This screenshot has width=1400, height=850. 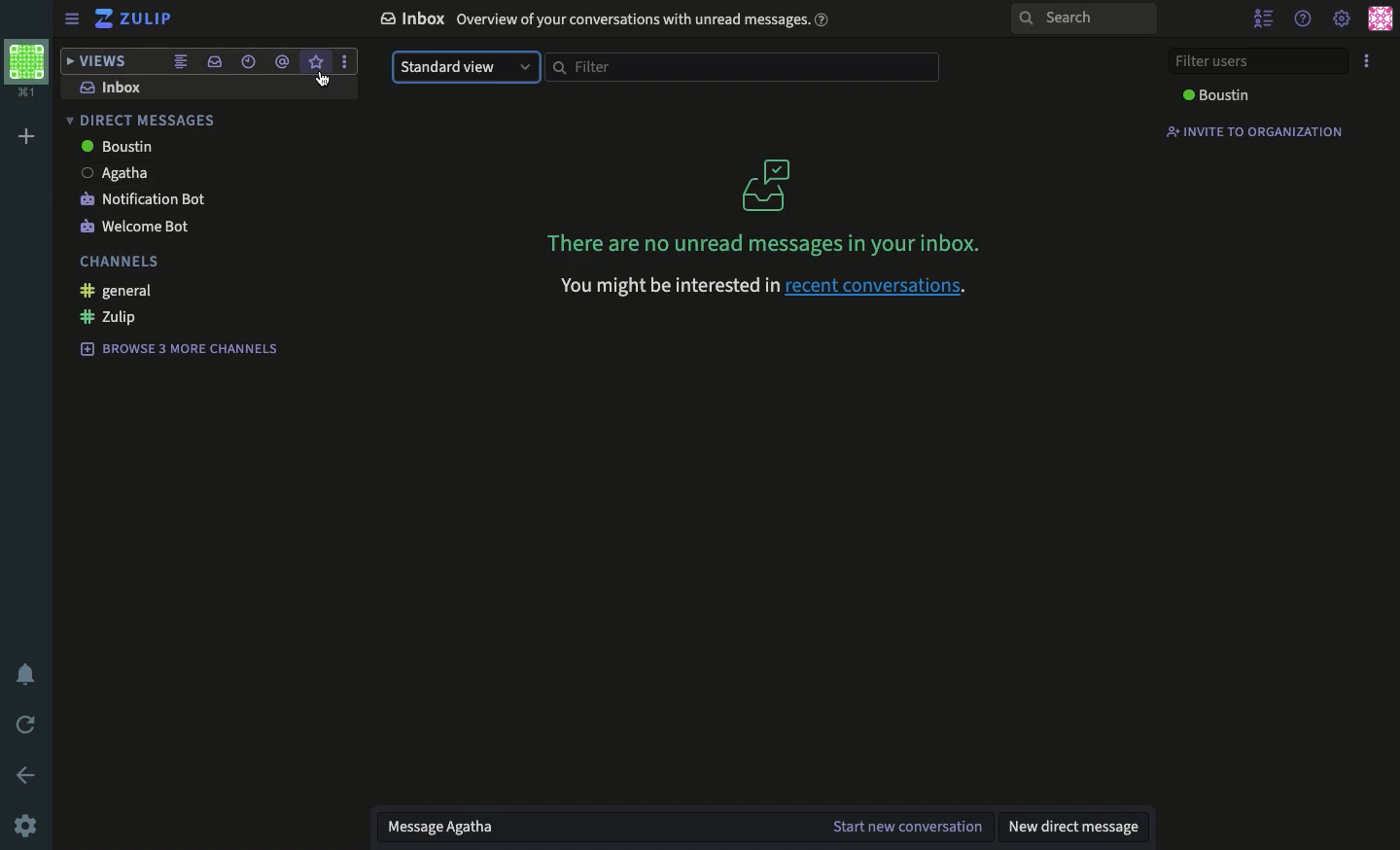 What do you see at coordinates (316, 61) in the screenshot?
I see `star` at bounding box center [316, 61].